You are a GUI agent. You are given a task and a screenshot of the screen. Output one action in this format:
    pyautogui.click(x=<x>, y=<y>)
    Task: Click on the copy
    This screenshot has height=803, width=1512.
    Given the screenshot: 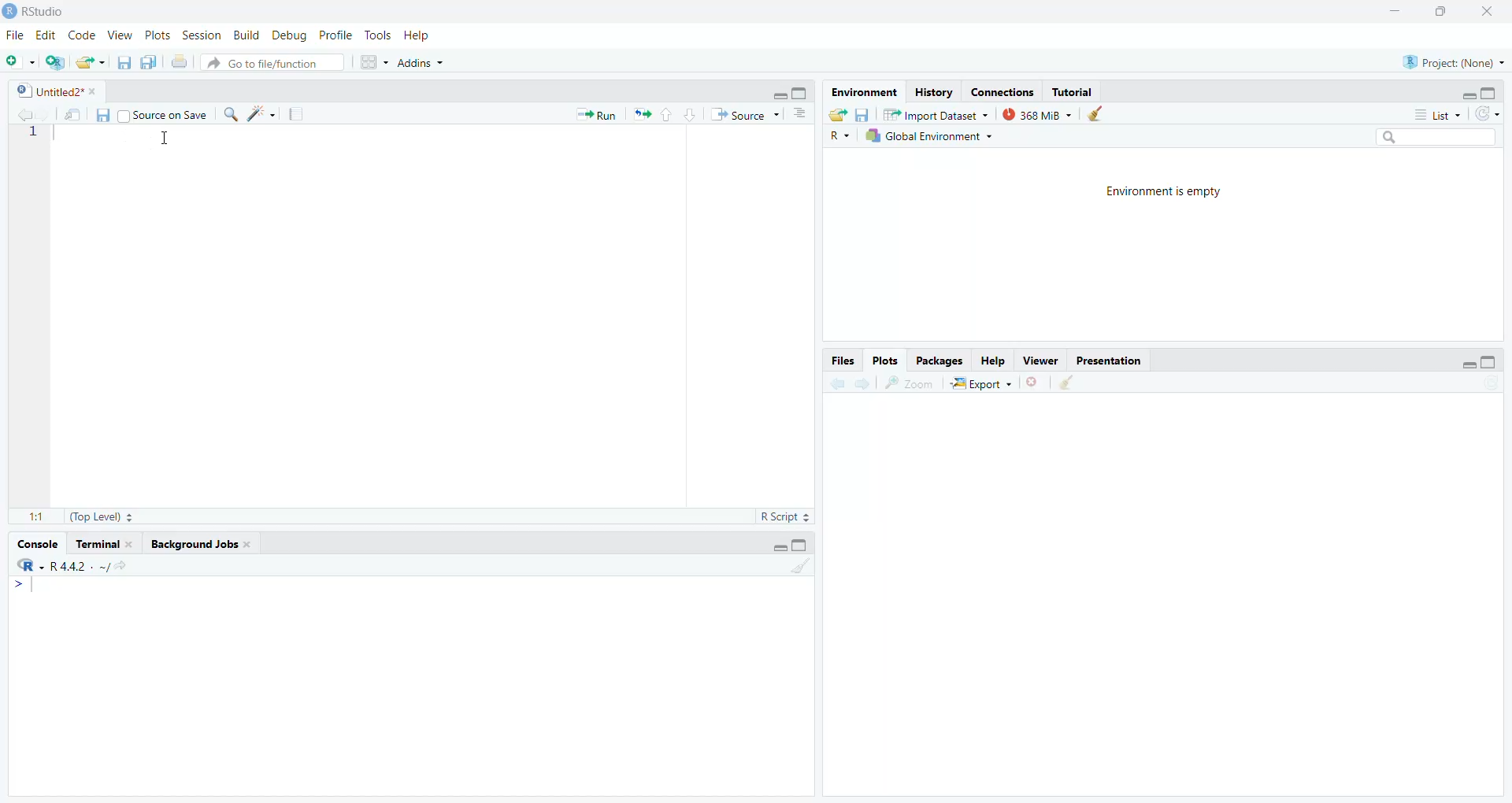 What is the action you would take?
    pyautogui.click(x=150, y=65)
    